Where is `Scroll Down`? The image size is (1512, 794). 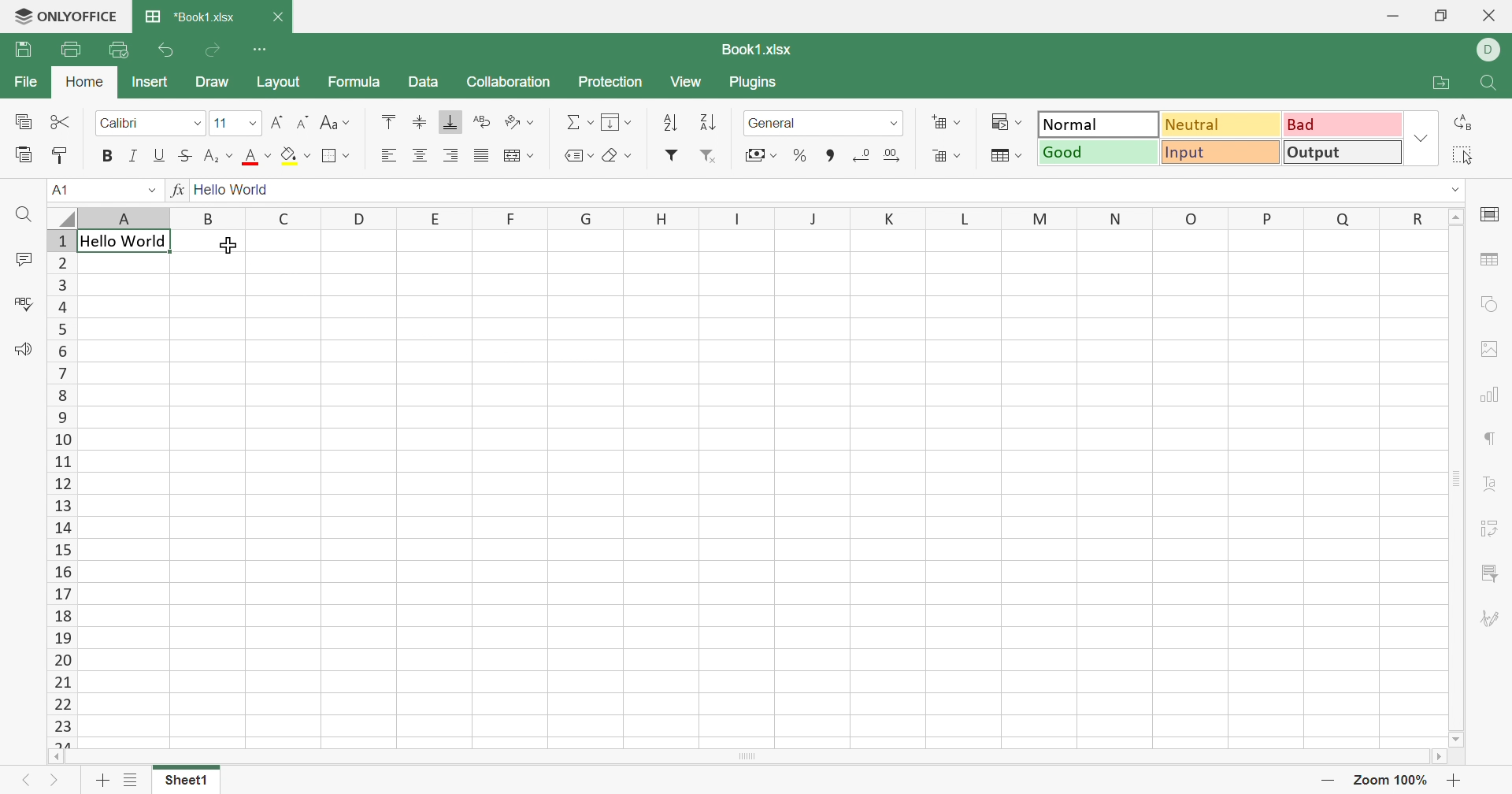
Scroll Down is located at coordinates (1455, 740).